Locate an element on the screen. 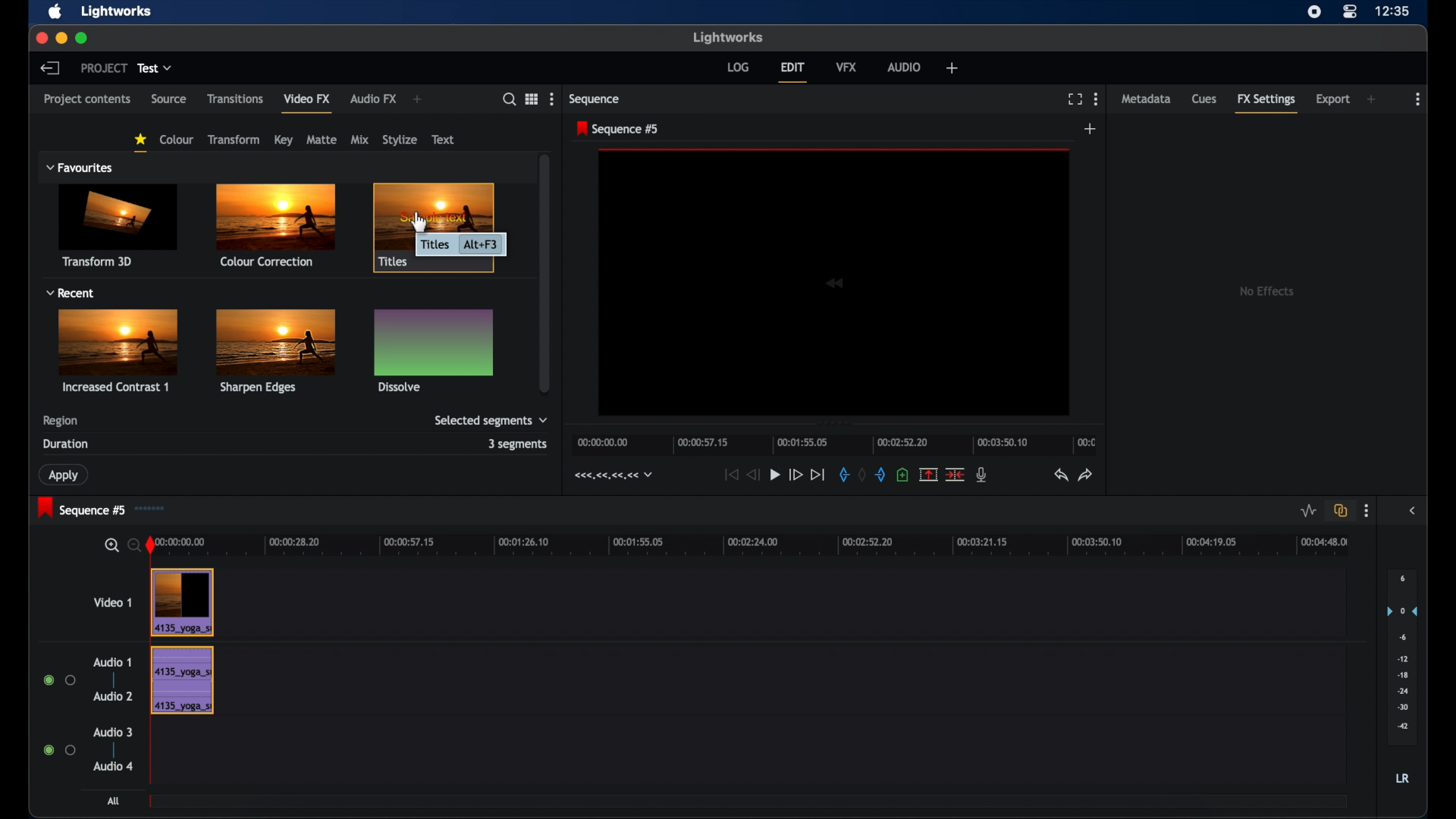 This screenshot has width=1456, height=819. increased contrast1 is located at coordinates (121, 350).